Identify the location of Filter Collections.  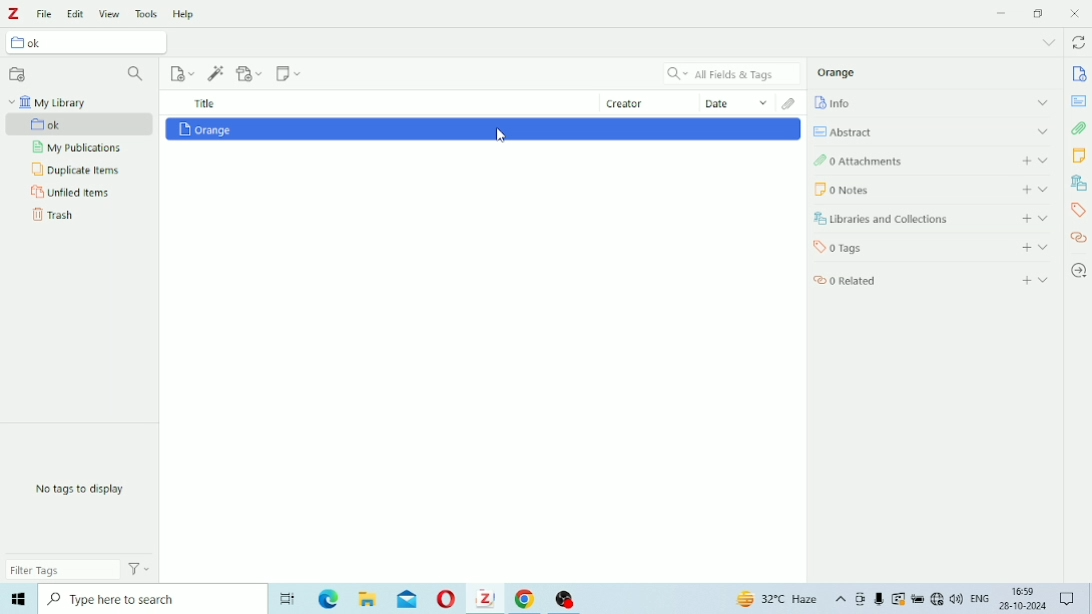
(137, 75).